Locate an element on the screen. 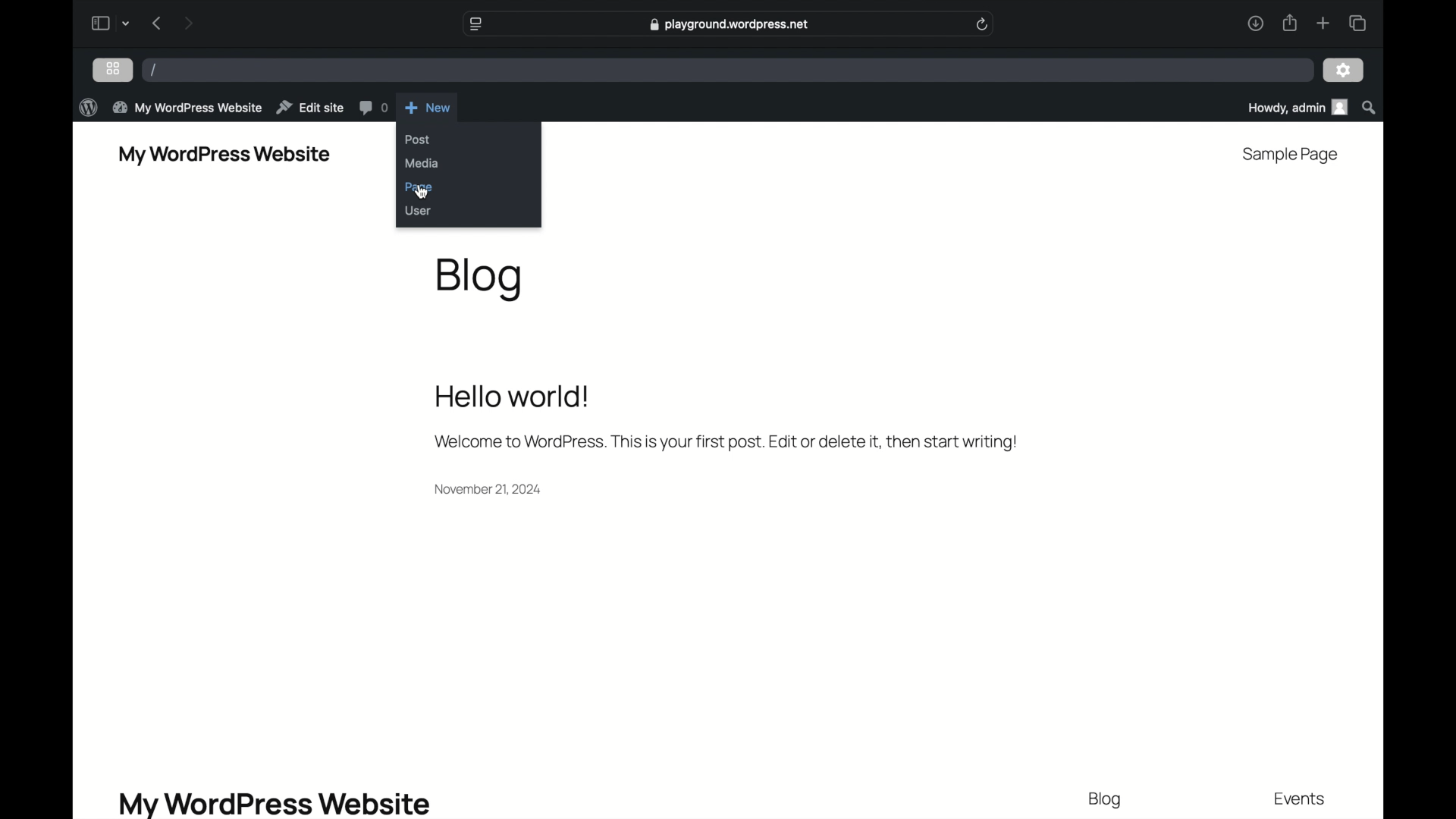 Image resolution: width=1456 pixels, height=819 pixels. events is located at coordinates (1301, 799).